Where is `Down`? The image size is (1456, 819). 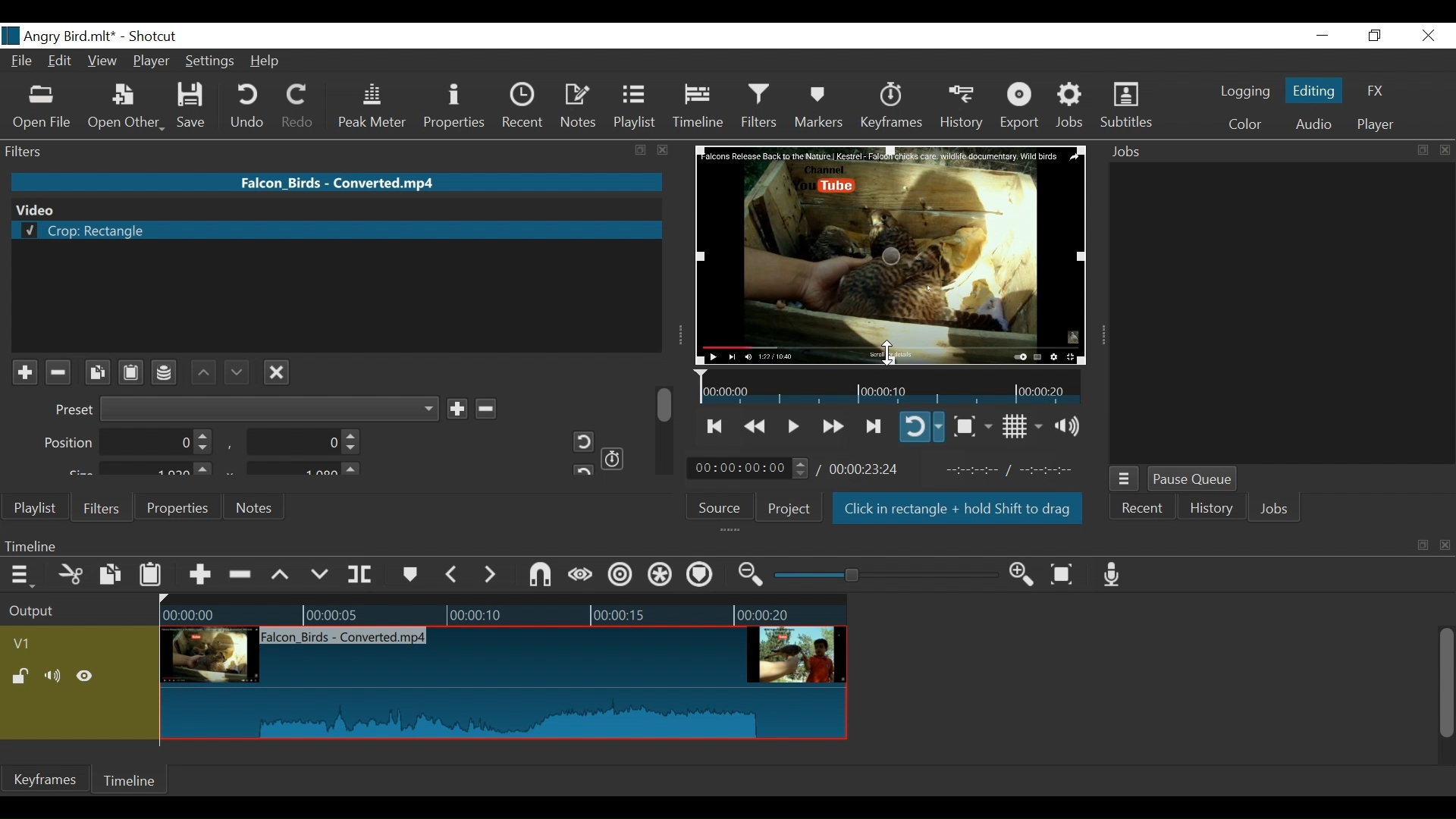
Down is located at coordinates (234, 369).